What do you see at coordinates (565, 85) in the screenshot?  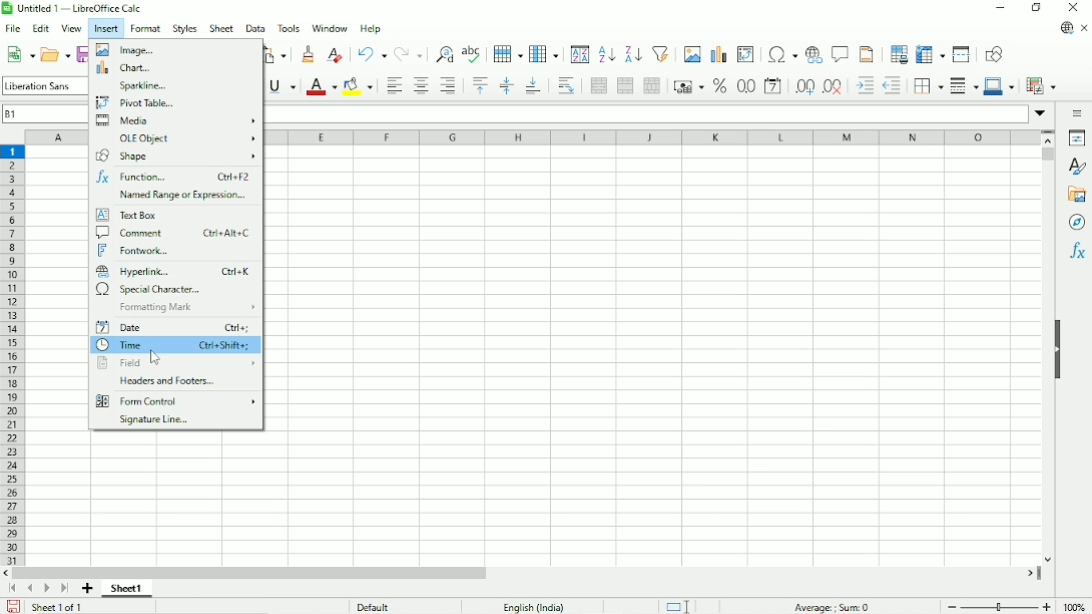 I see `Wrap text` at bounding box center [565, 85].